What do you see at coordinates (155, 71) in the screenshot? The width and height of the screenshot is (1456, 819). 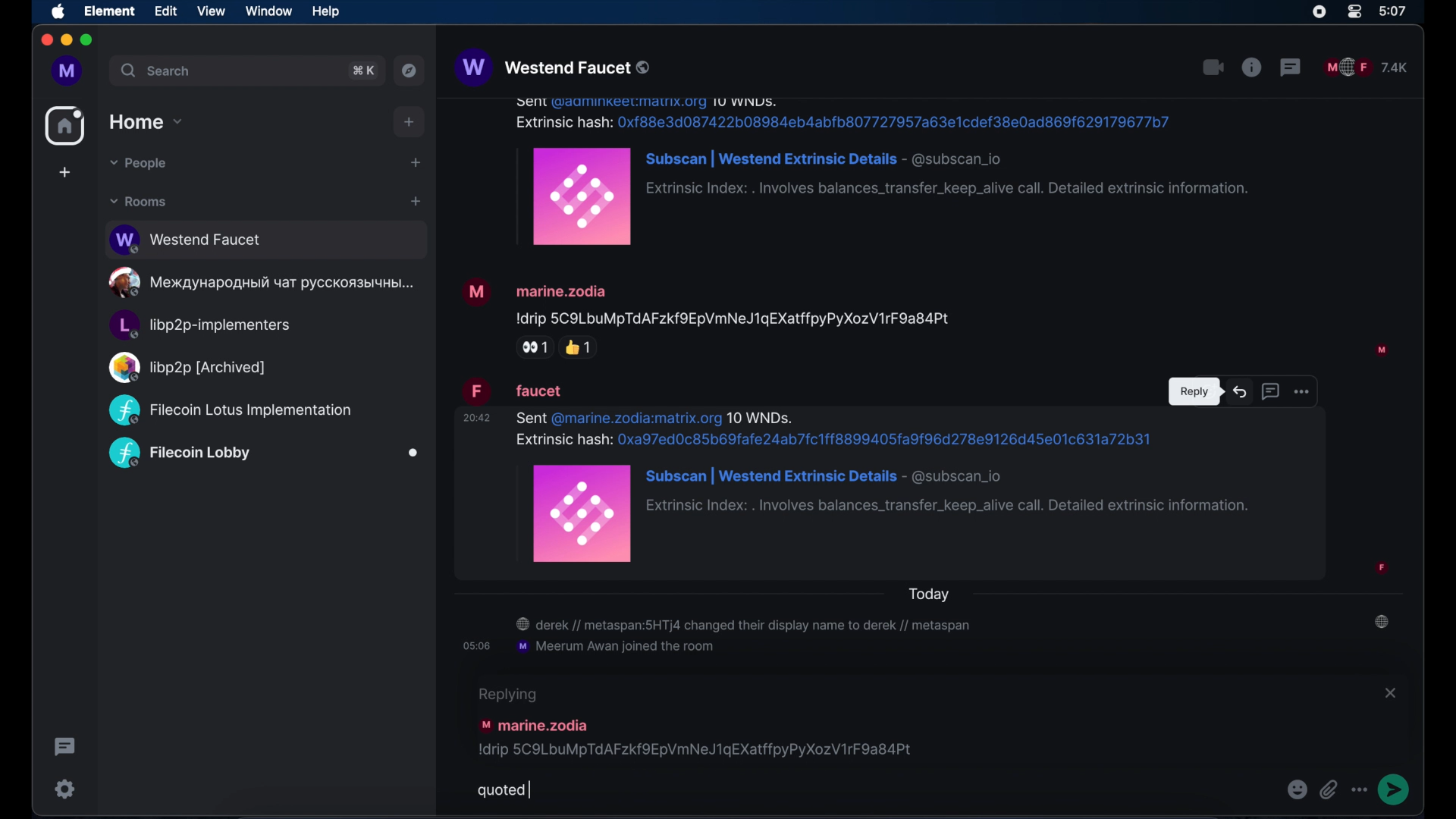 I see `search` at bounding box center [155, 71].